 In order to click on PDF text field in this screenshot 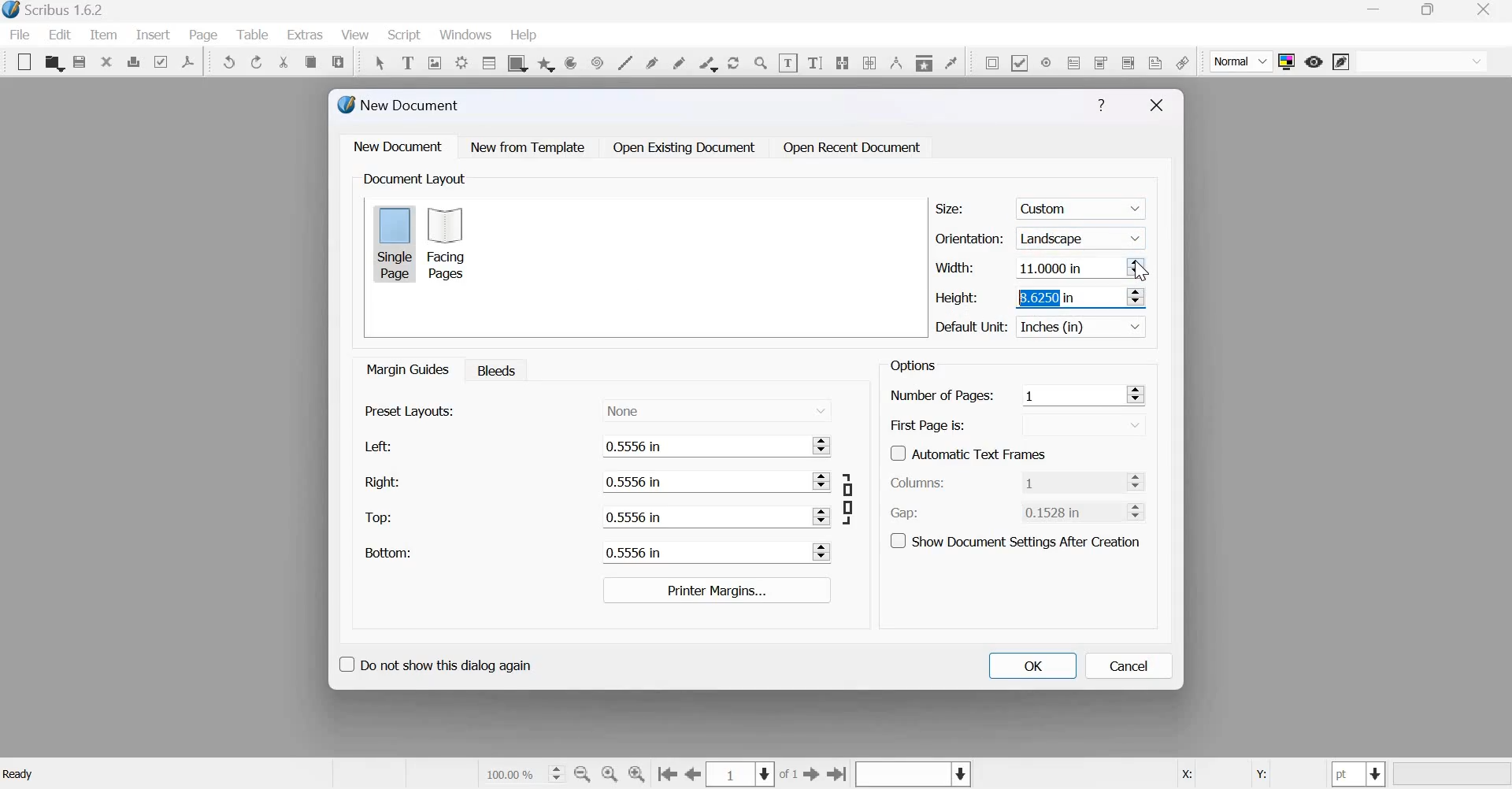, I will do `click(1074, 61)`.